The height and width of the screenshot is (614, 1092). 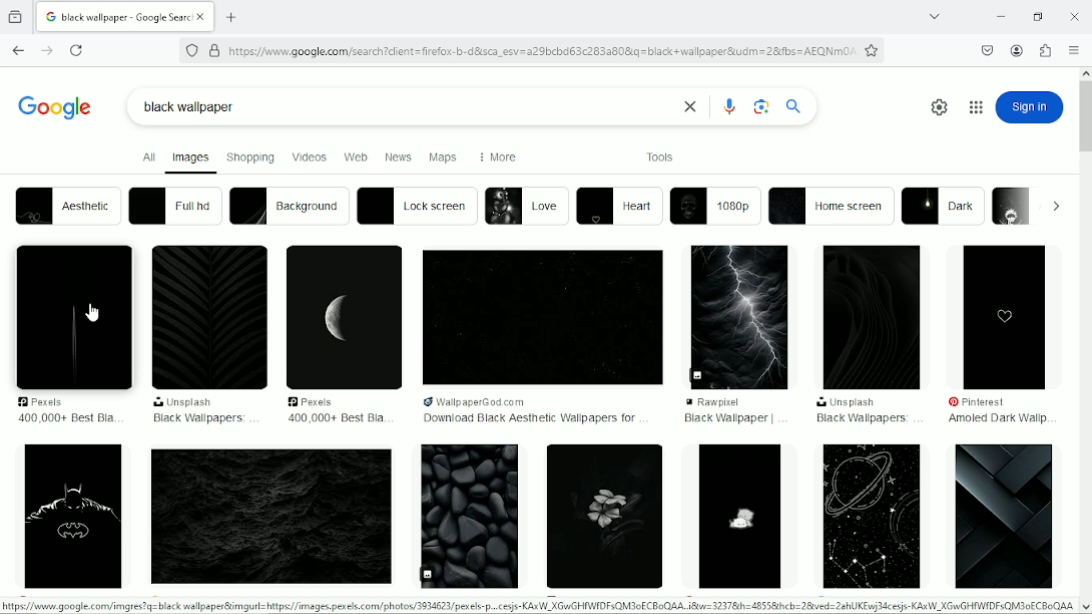 I want to click on lock screen, so click(x=417, y=205).